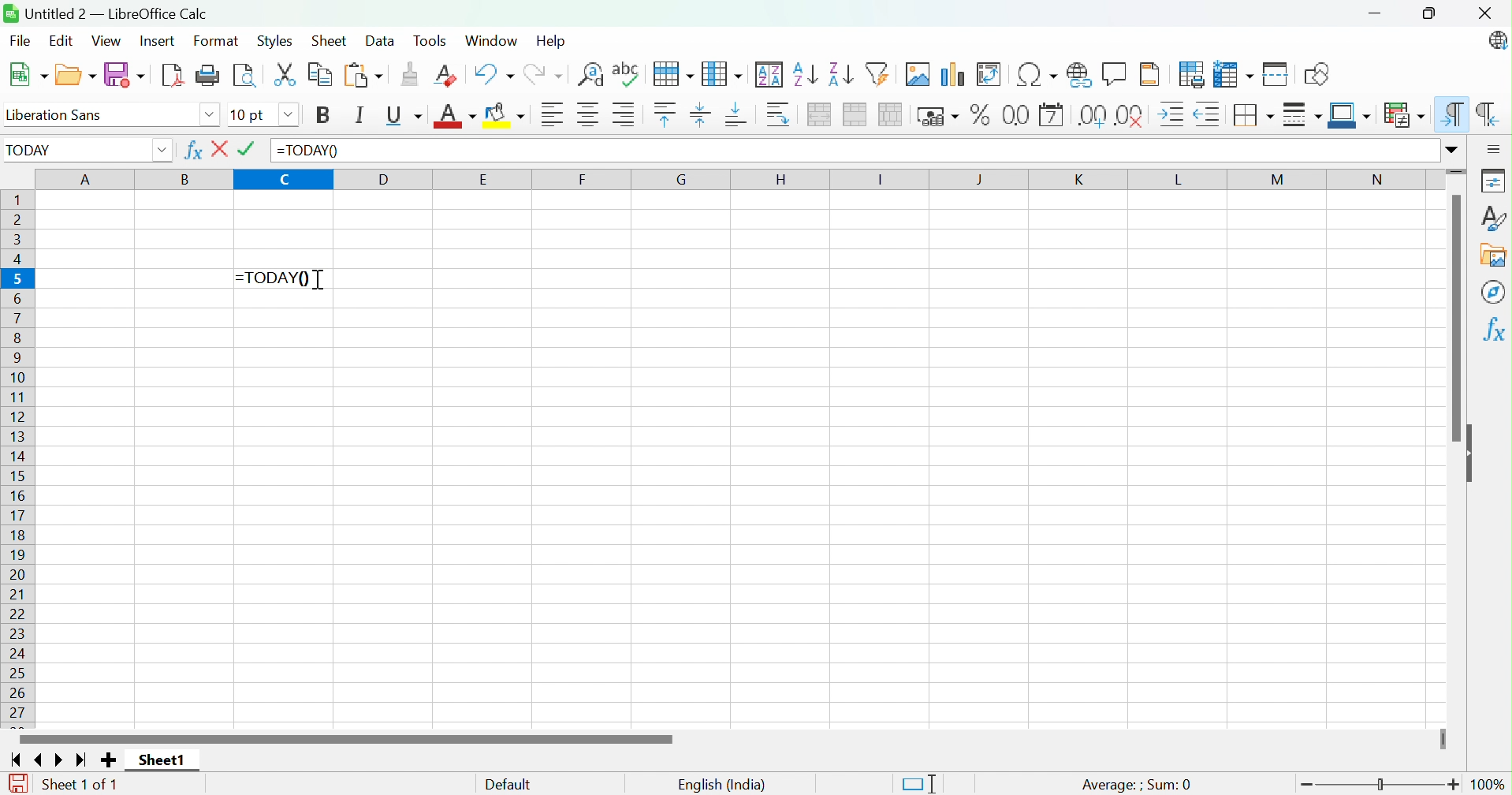 Image resolution: width=1512 pixels, height=795 pixels. What do you see at coordinates (1483, 13) in the screenshot?
I see `Close` at bounding box center [1483, 13].